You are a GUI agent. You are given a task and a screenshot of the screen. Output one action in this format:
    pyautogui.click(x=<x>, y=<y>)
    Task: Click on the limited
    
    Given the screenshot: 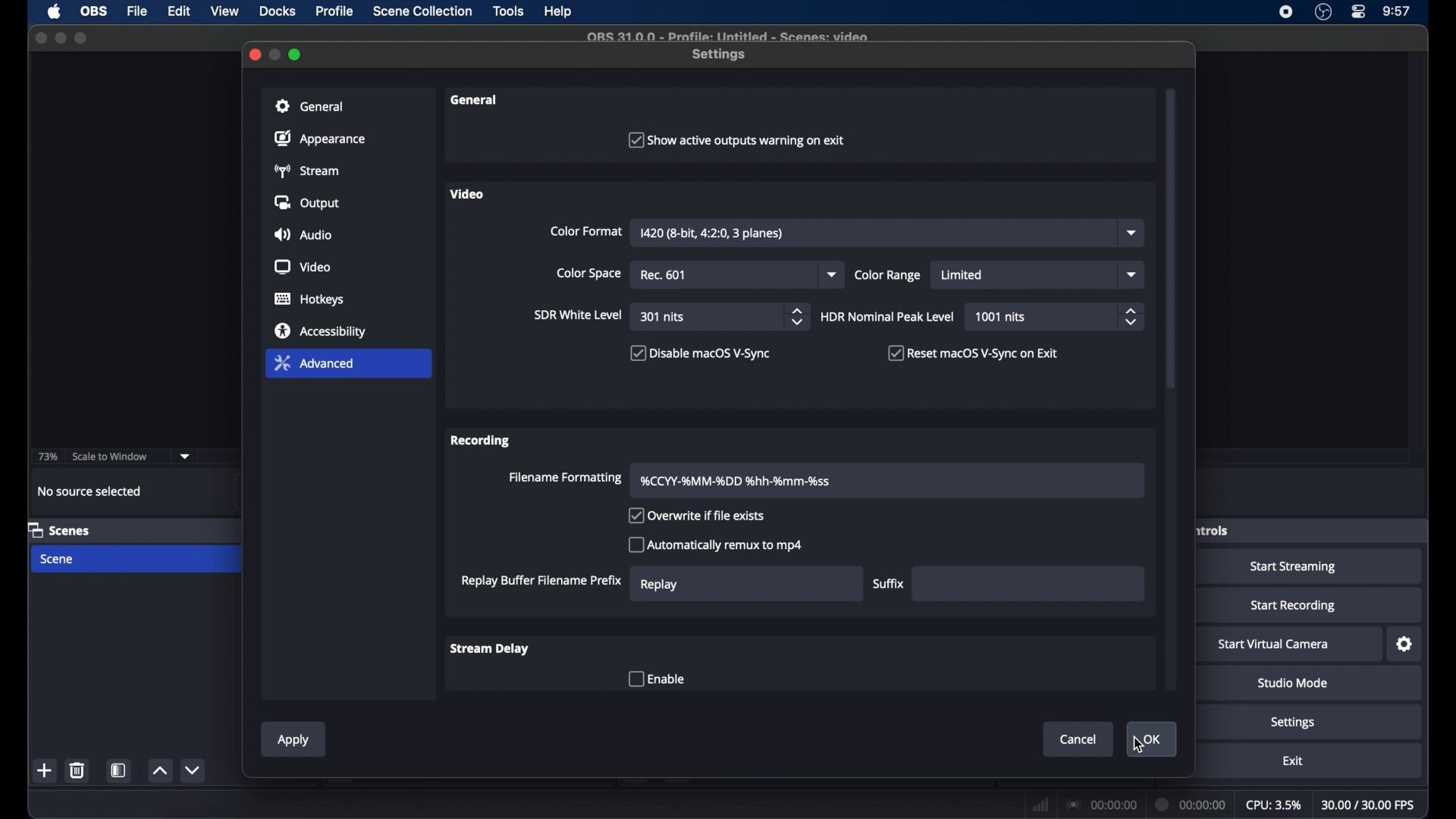 What is the action you would take?
    pyautogui.click(x=962, y=275)
    